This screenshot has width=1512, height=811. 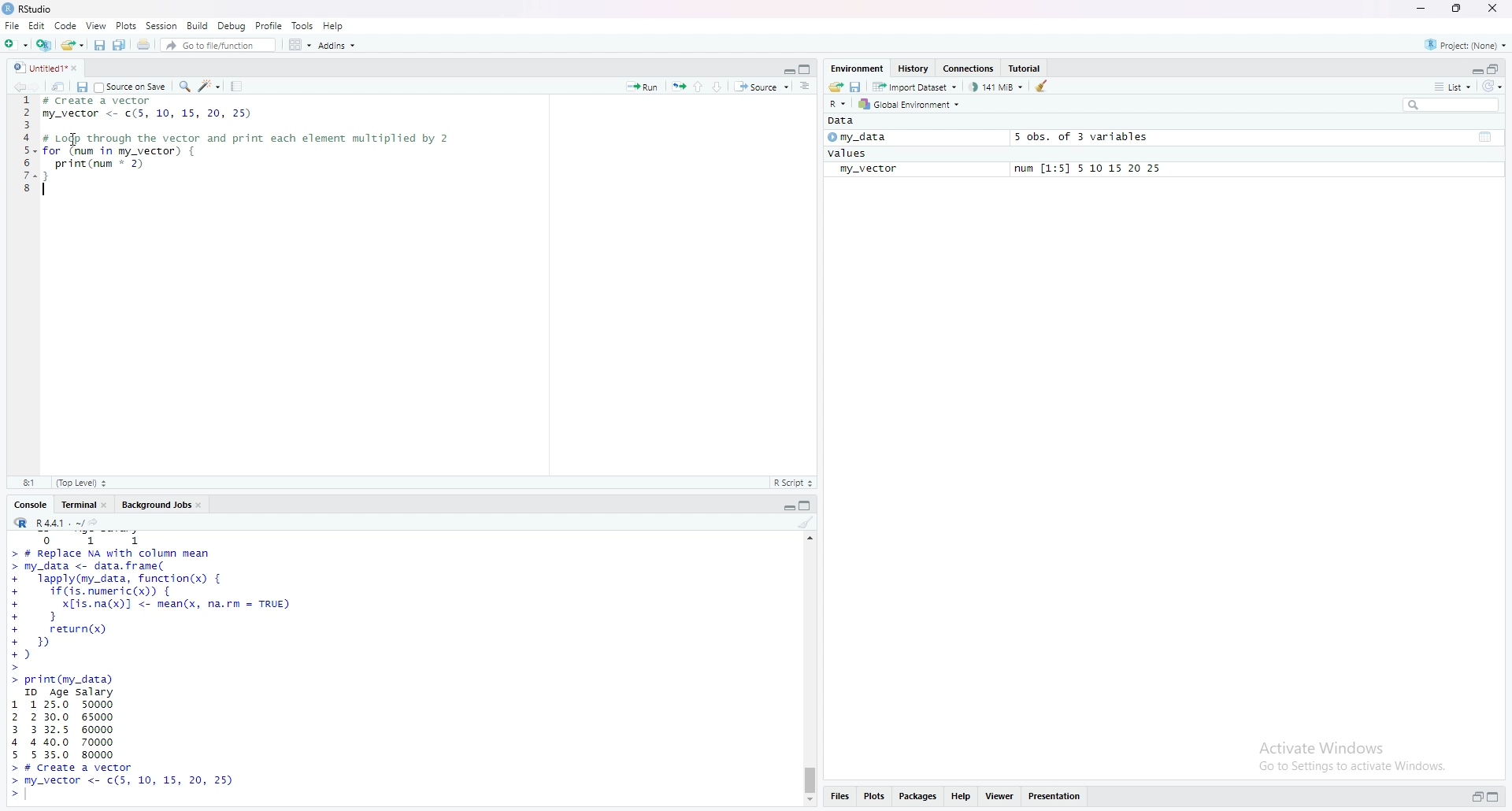 I want to click on search, so click(x=1448, y=106).